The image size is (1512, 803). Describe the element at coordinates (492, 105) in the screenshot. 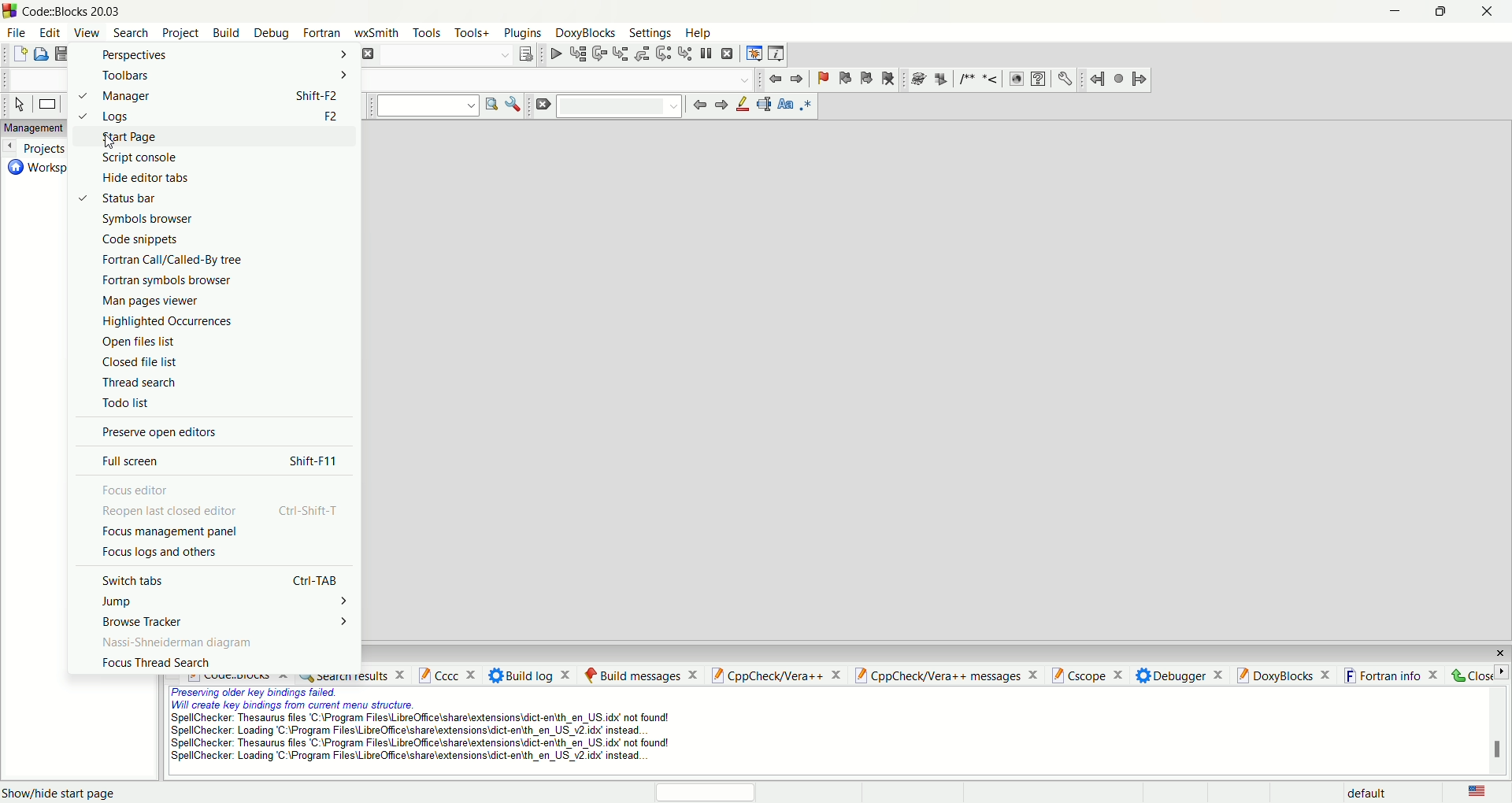

I see `run search` at that location.